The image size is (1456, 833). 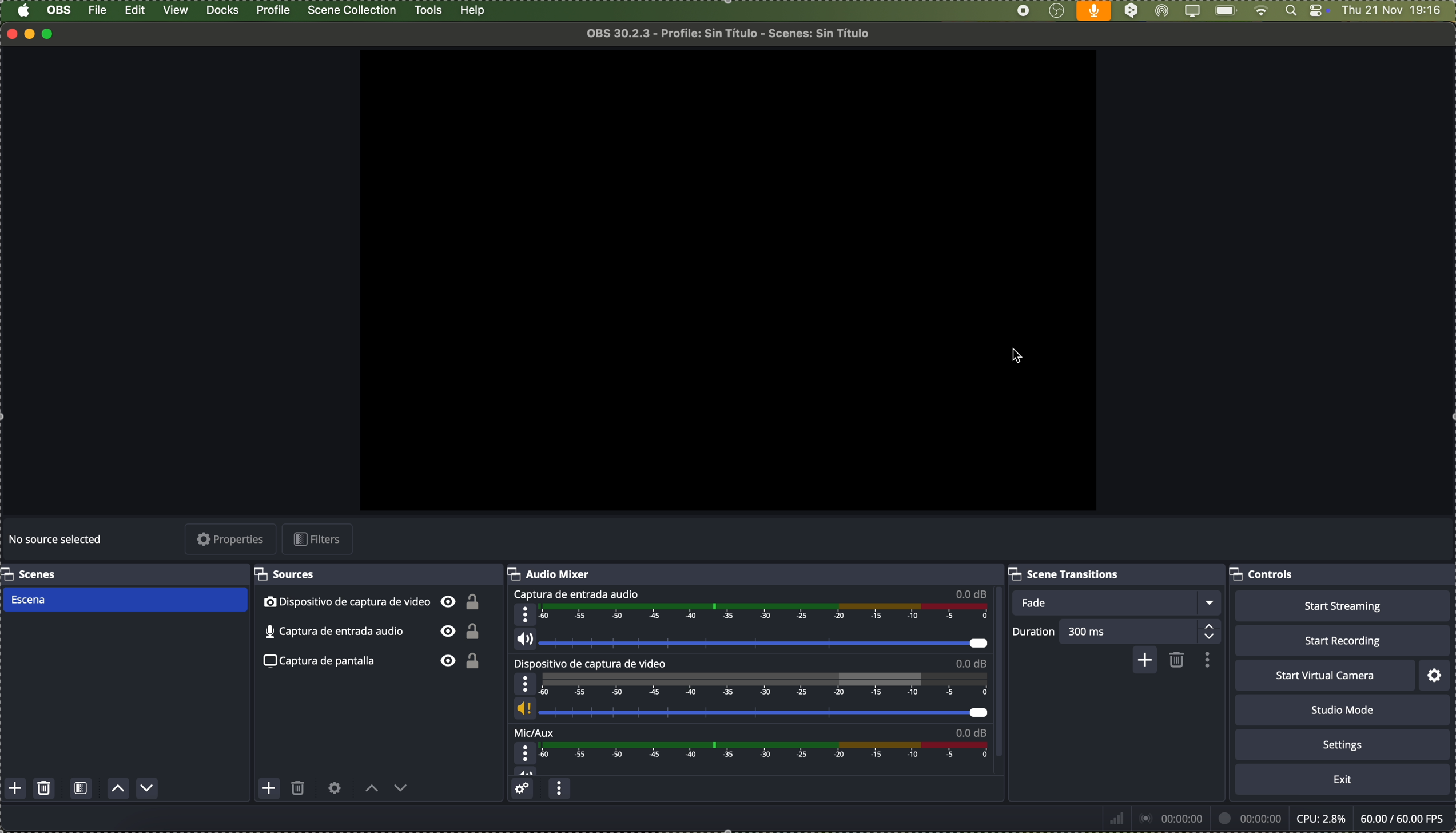 What do you see at coordinates (60, 10) in the screenshot?
I see `OBS` at bounding box center [60, 10].